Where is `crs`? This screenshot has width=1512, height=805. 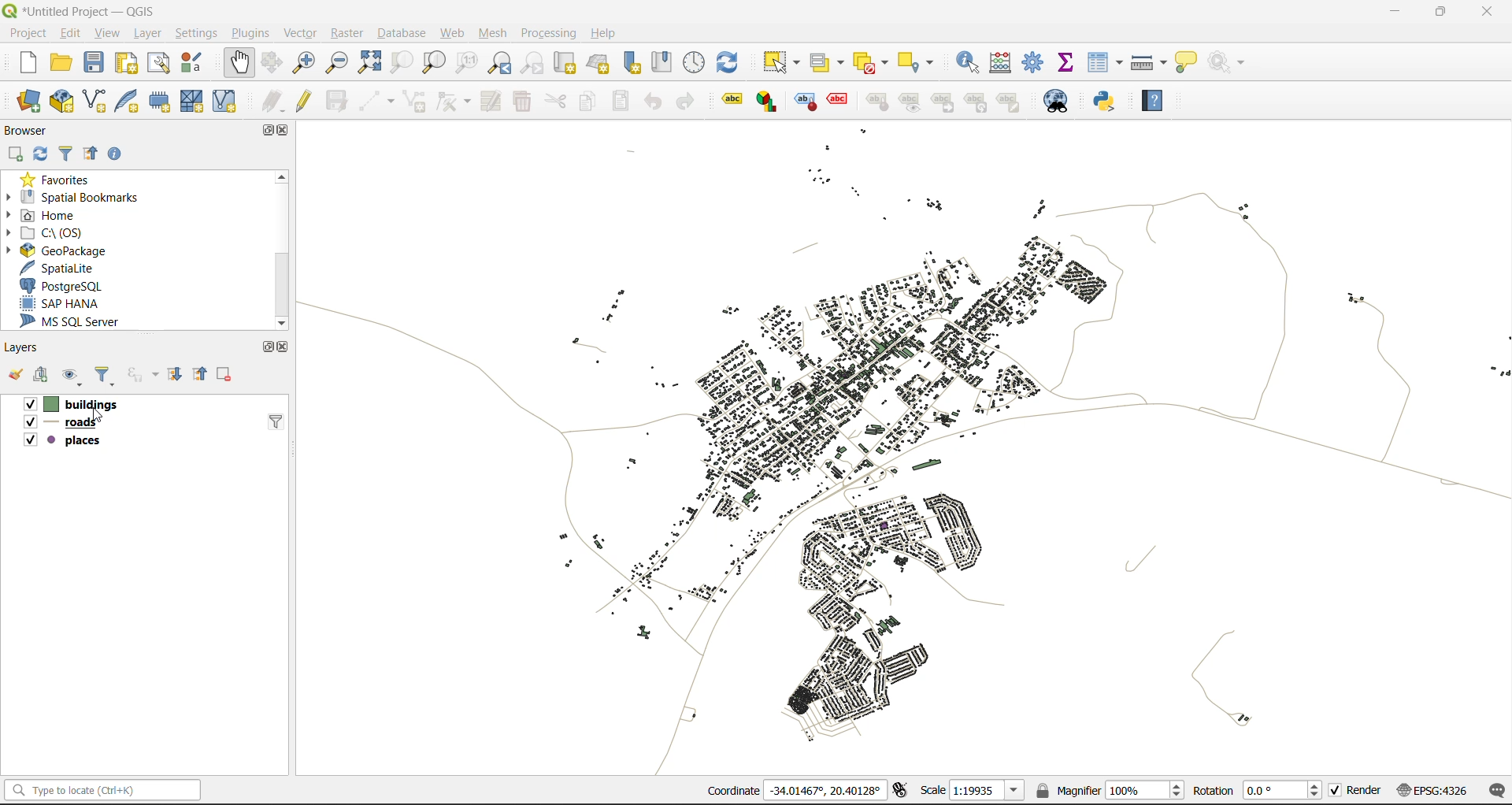 crs is located at coordinates (1435, 789).